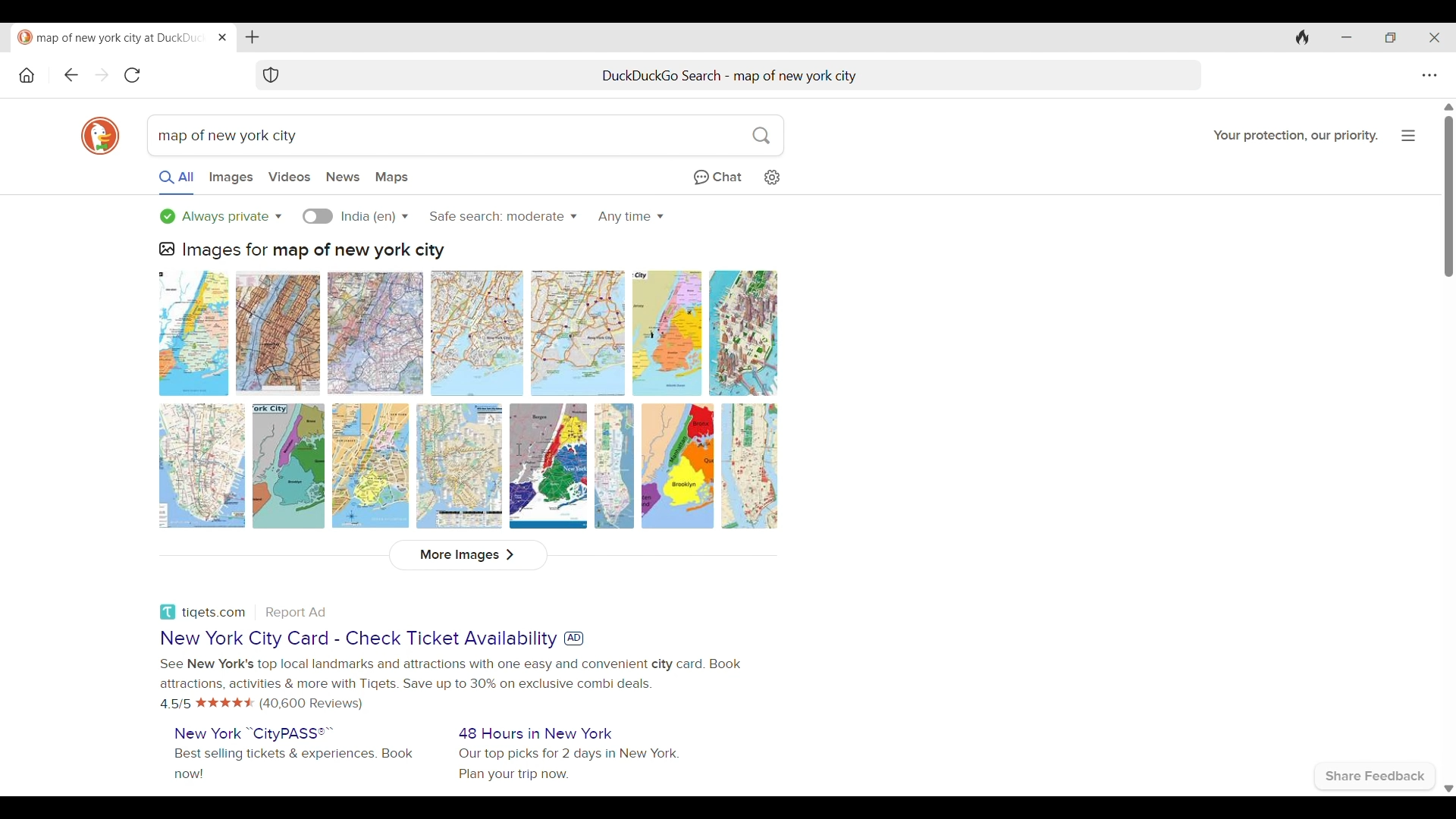  What do you see at coordinates (631, 217) in the screenshot?
I see `Time specific searches` at bounding box center [631, 217].